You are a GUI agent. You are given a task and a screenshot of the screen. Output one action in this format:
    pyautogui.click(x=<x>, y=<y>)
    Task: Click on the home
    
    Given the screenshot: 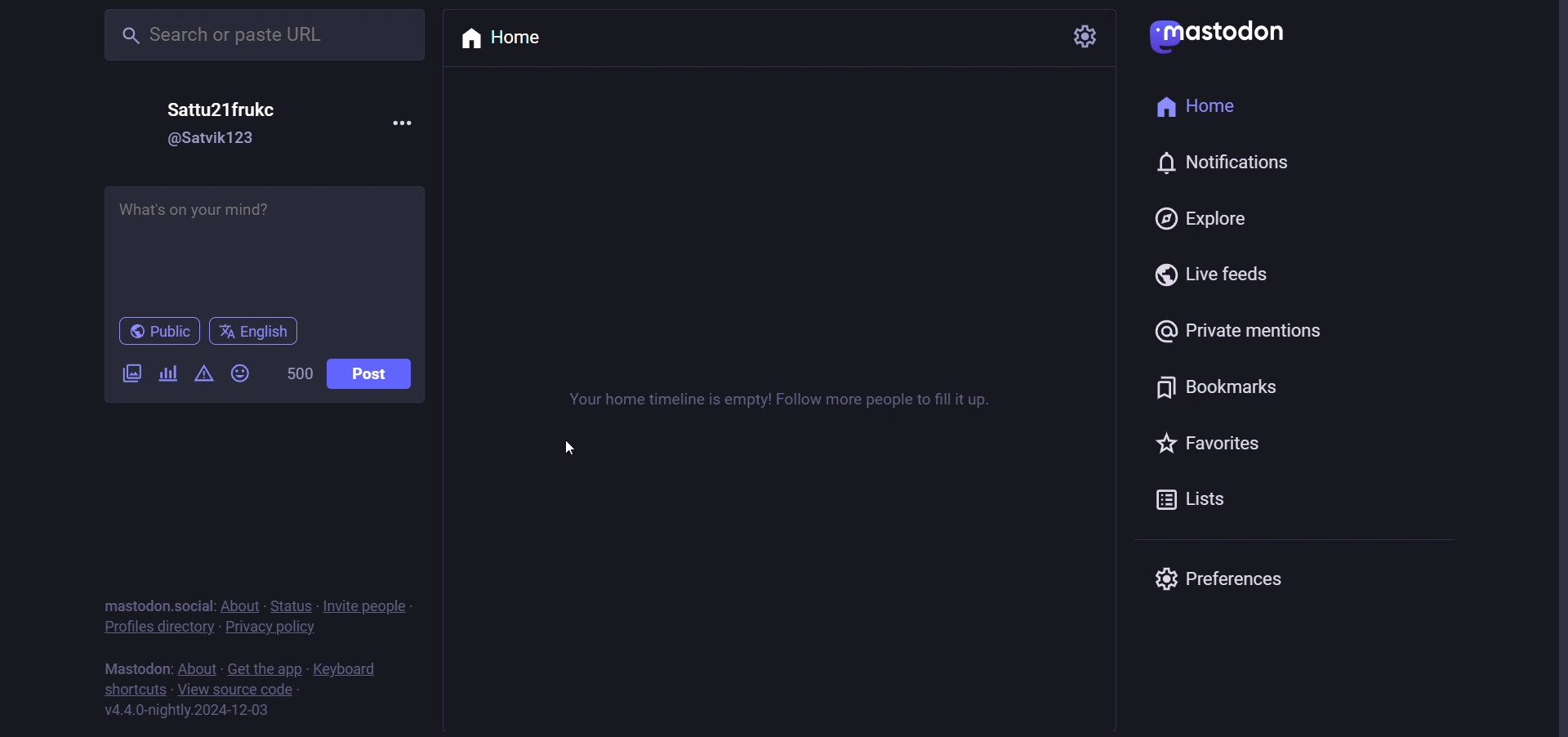 What is the action you would take?
    pyautogui.click(x=507, y=39)
    